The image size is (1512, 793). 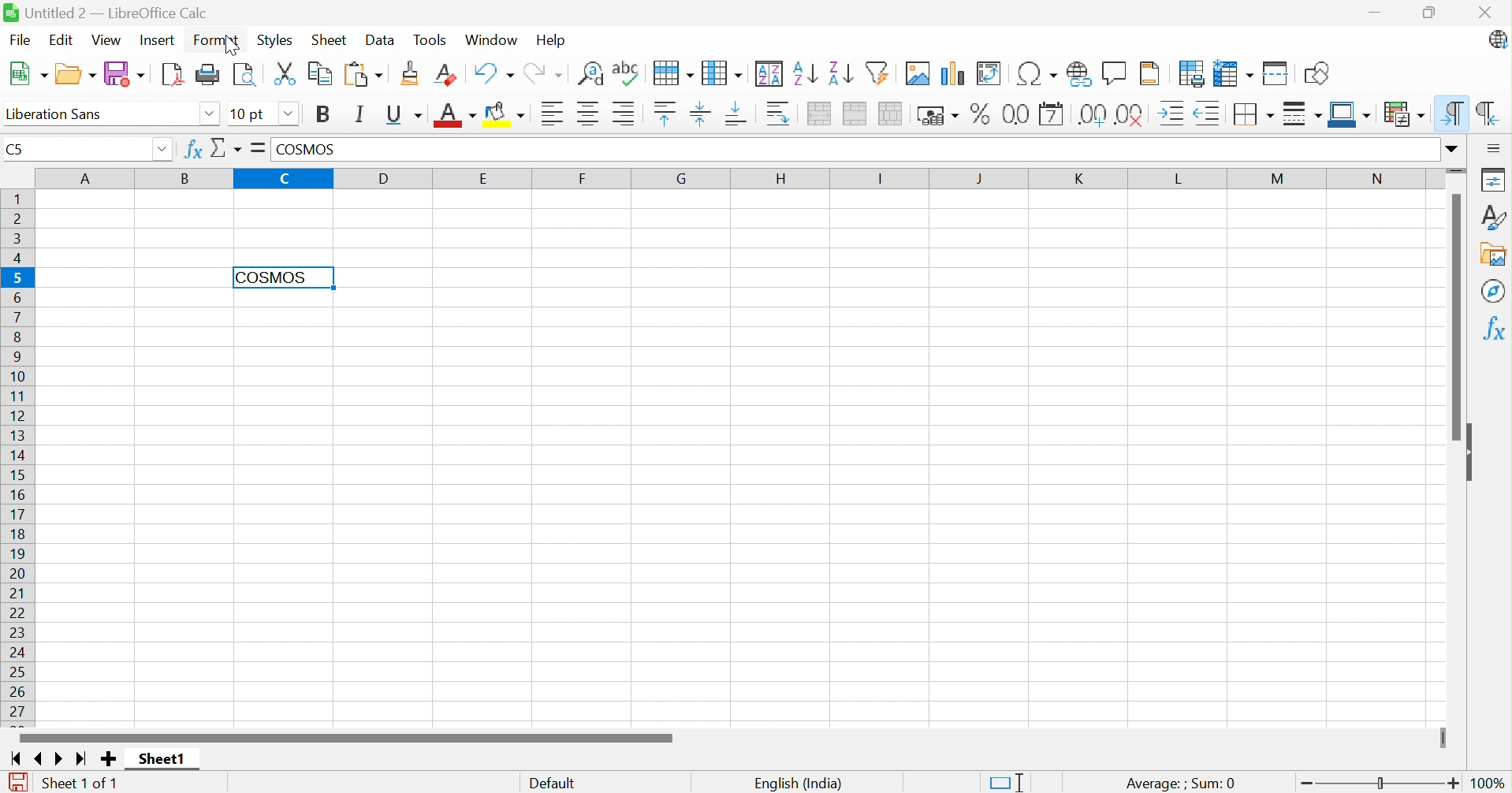 I want to click on Data, so click(x=382, y=41).